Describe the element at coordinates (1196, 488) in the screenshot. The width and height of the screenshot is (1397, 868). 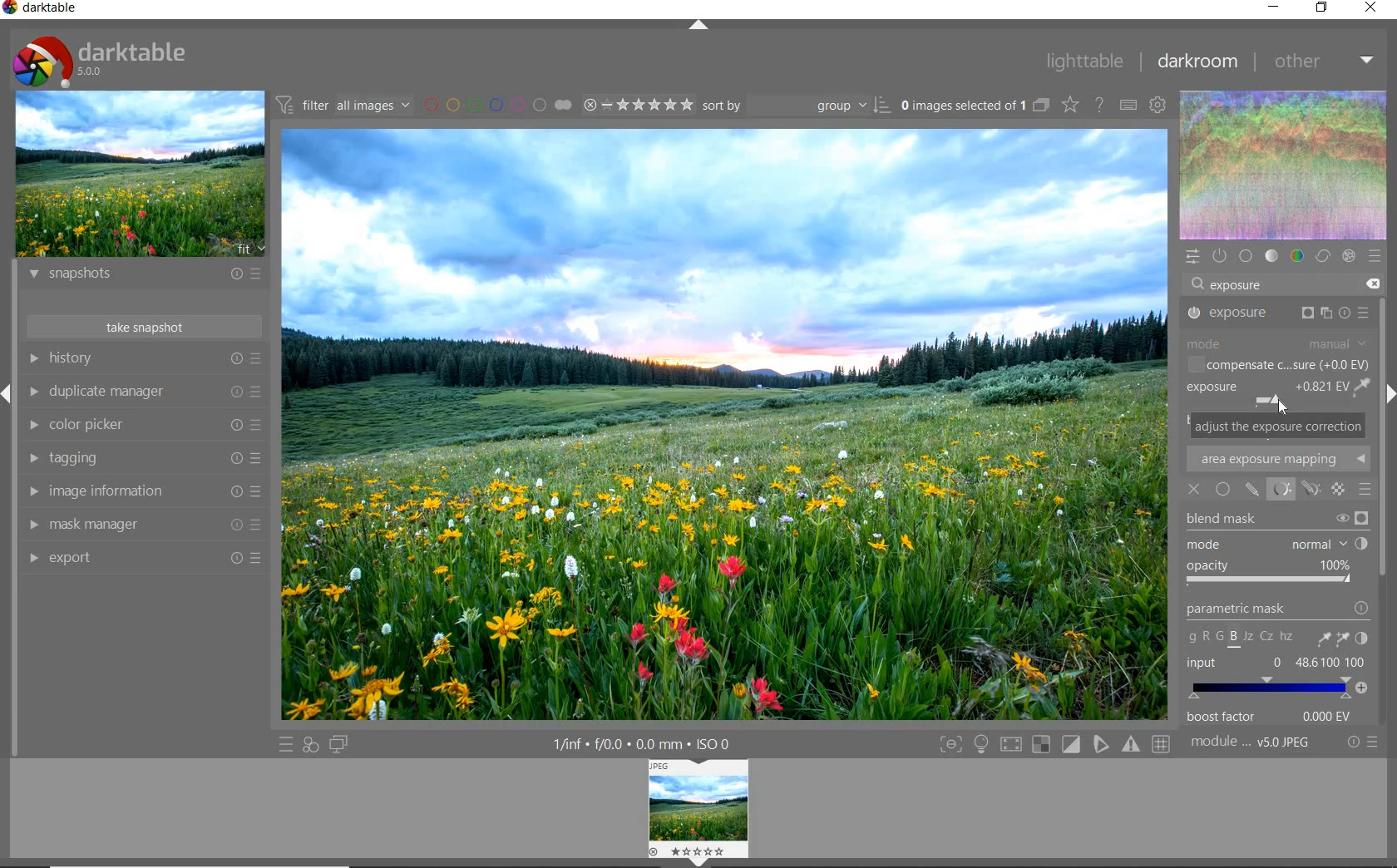
I see `OFF` at that location.